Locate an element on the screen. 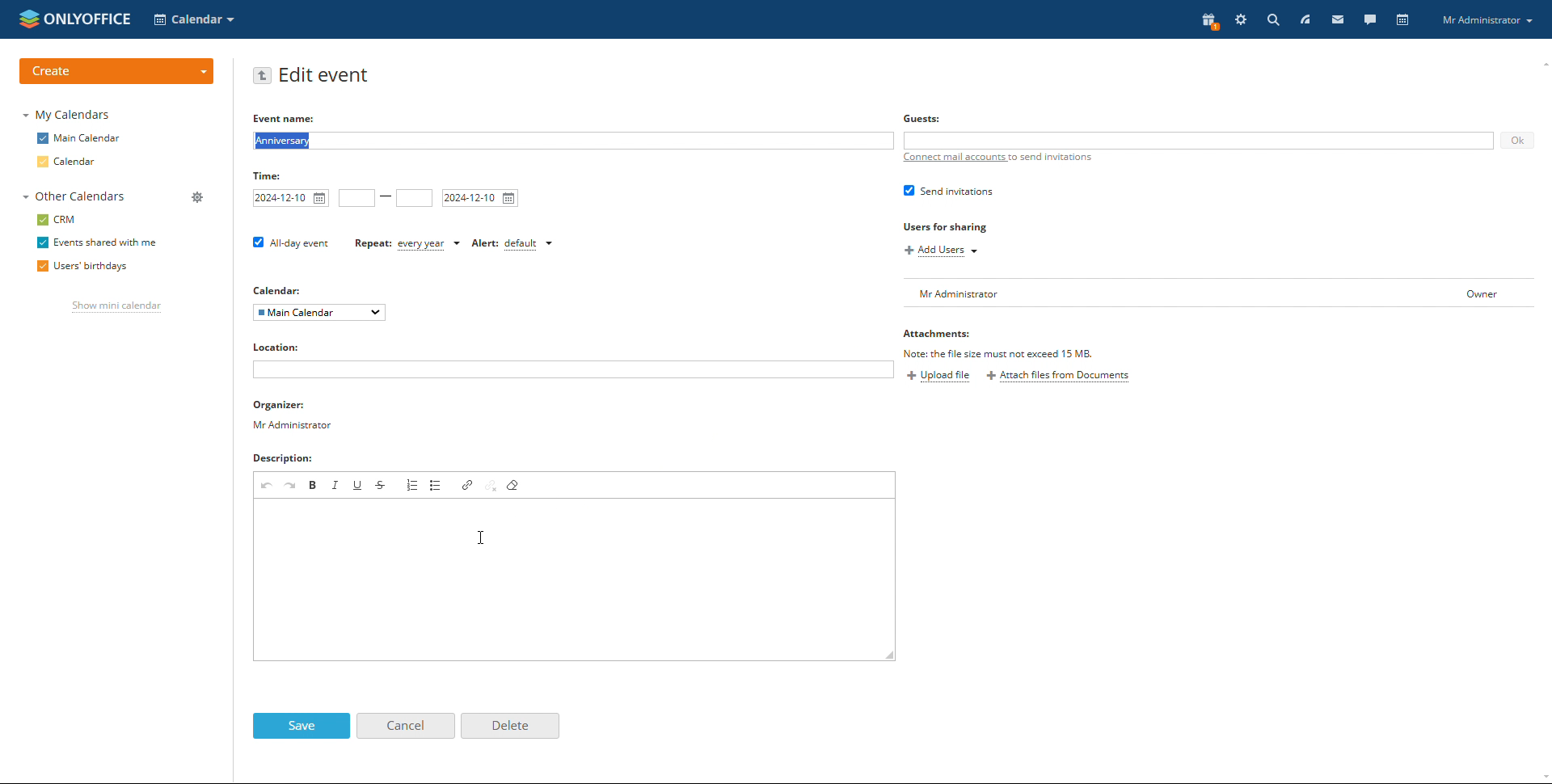  main calendar is located at coordinates (78, 139).